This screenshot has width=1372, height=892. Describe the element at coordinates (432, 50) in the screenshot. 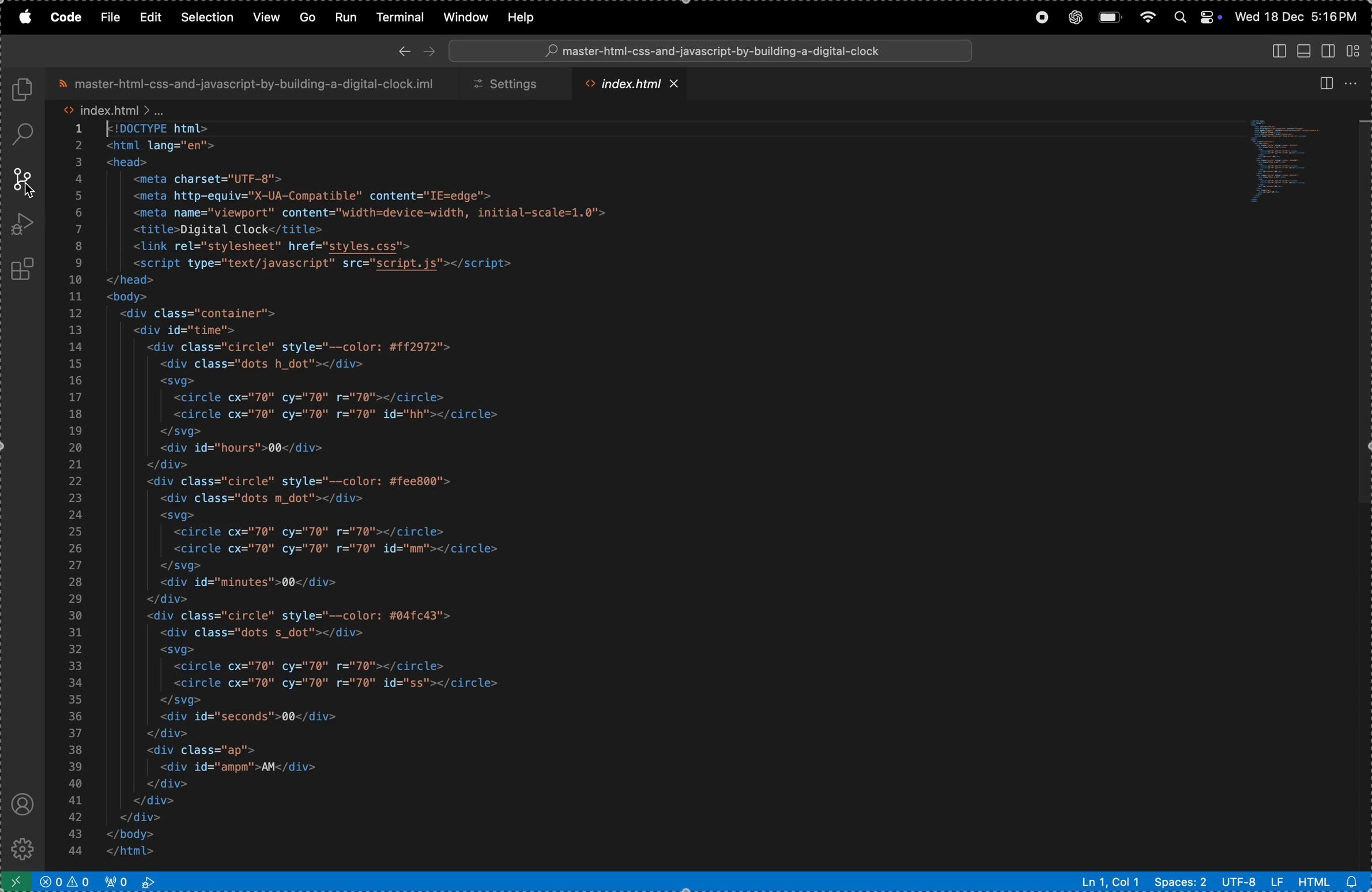

I see `forward` at that location.